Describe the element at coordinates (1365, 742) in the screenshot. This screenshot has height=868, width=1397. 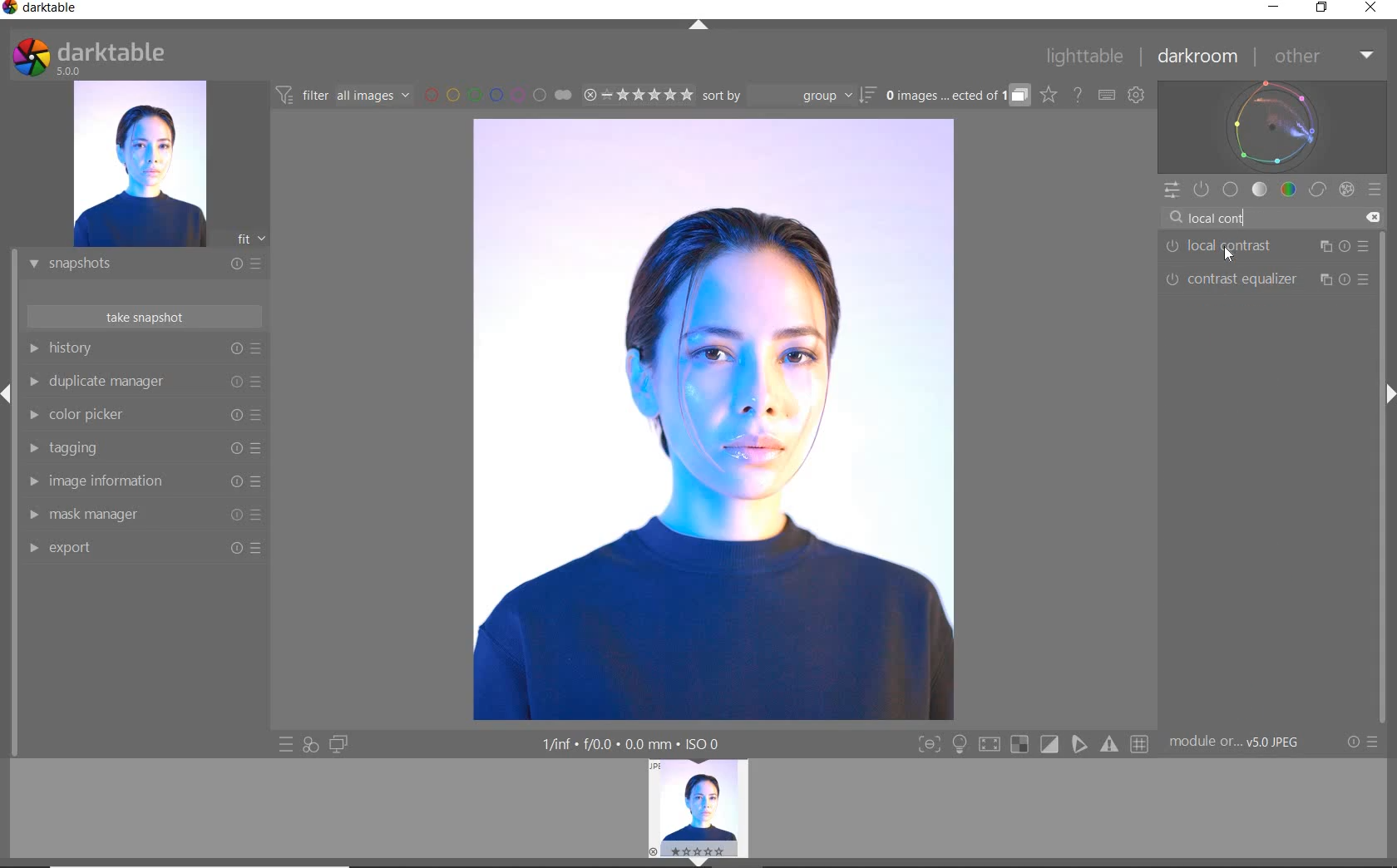
I see `RESET OR PRESETS & PREFERENCES` at that location.